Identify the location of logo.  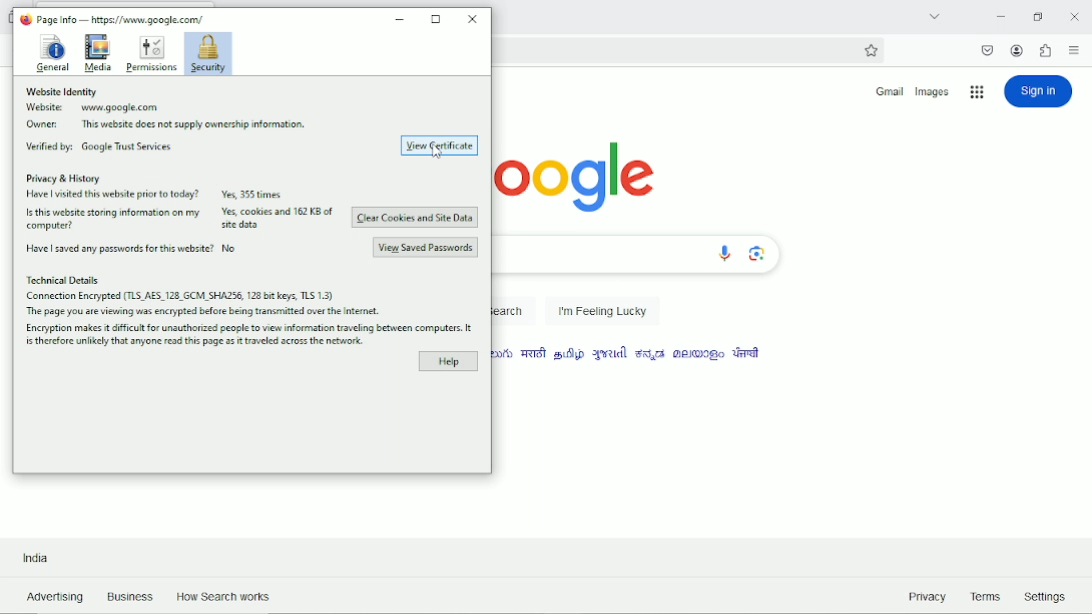
(584, 176).